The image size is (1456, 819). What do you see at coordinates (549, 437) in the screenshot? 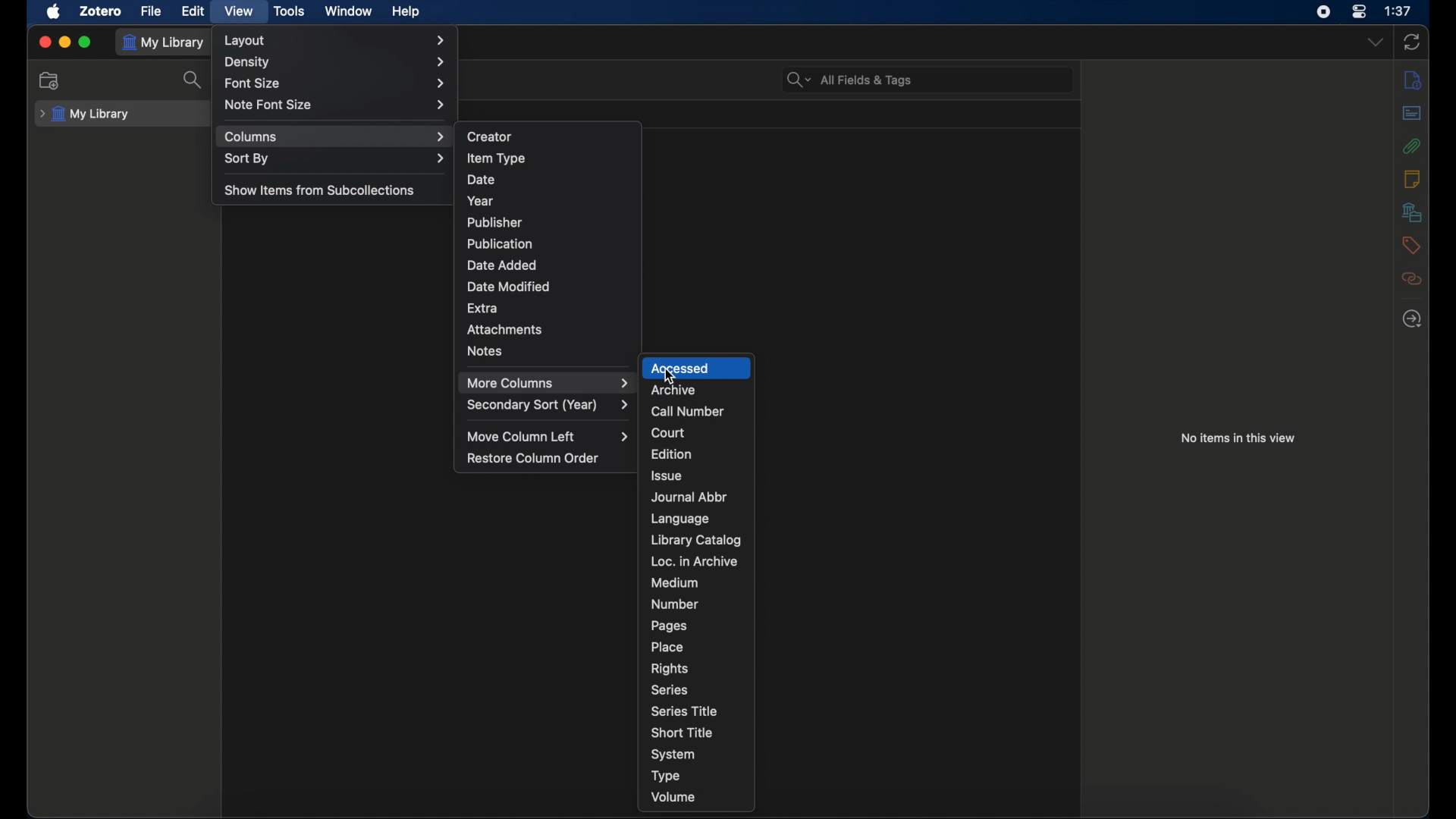
I see `move column left` at bounding box center [549, 437].